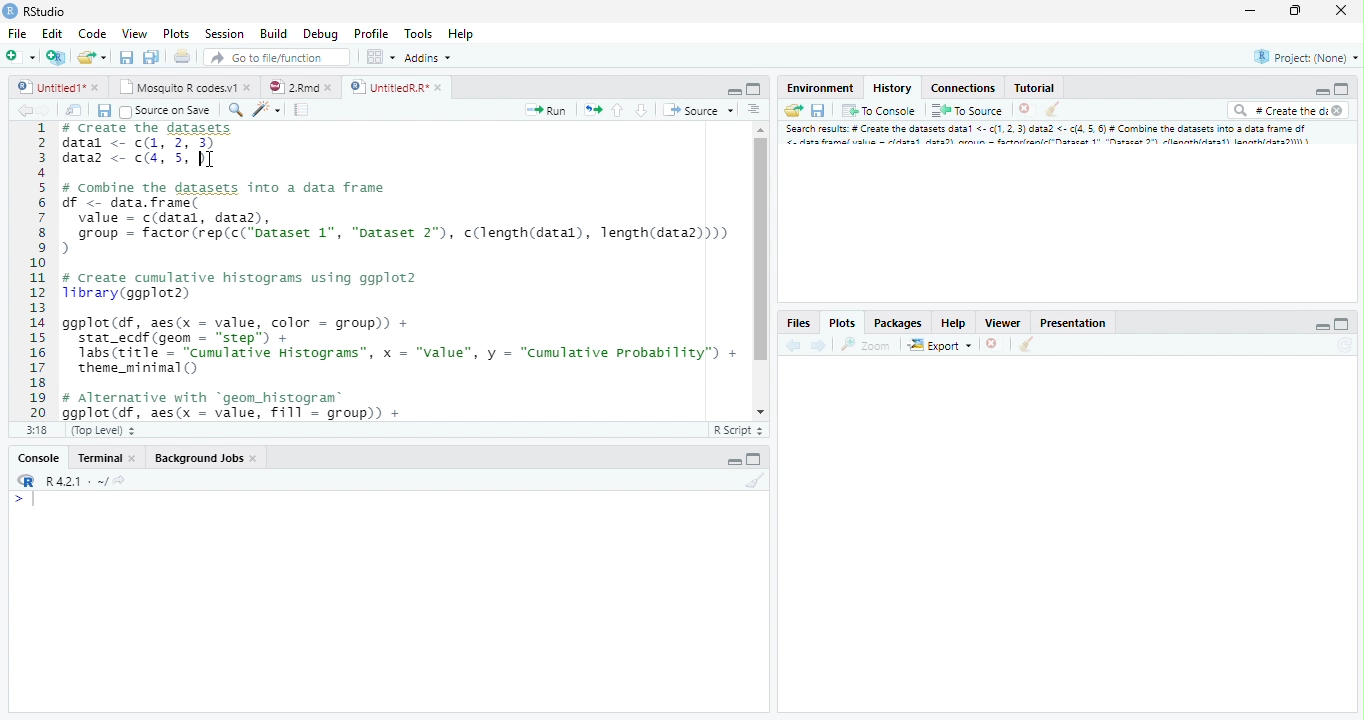 Image resolution: width=1364 pixels, height=720 pixels. What do you see at coordinates (757, 460) in the screenshot?
I see `Maximize` at bounding box center [757, 460].